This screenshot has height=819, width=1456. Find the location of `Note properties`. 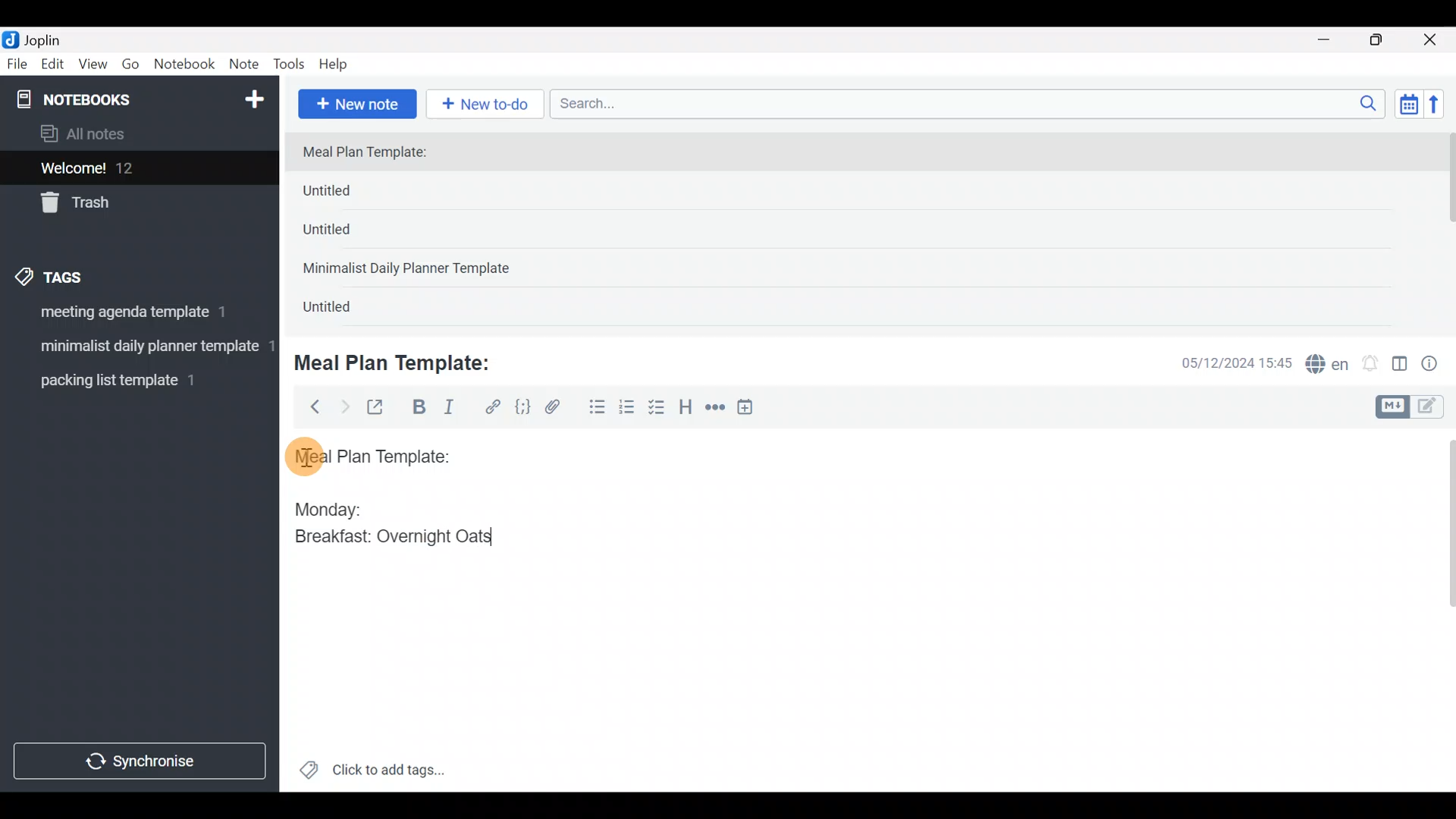

Note properties is located at coordinates (1436, 365).